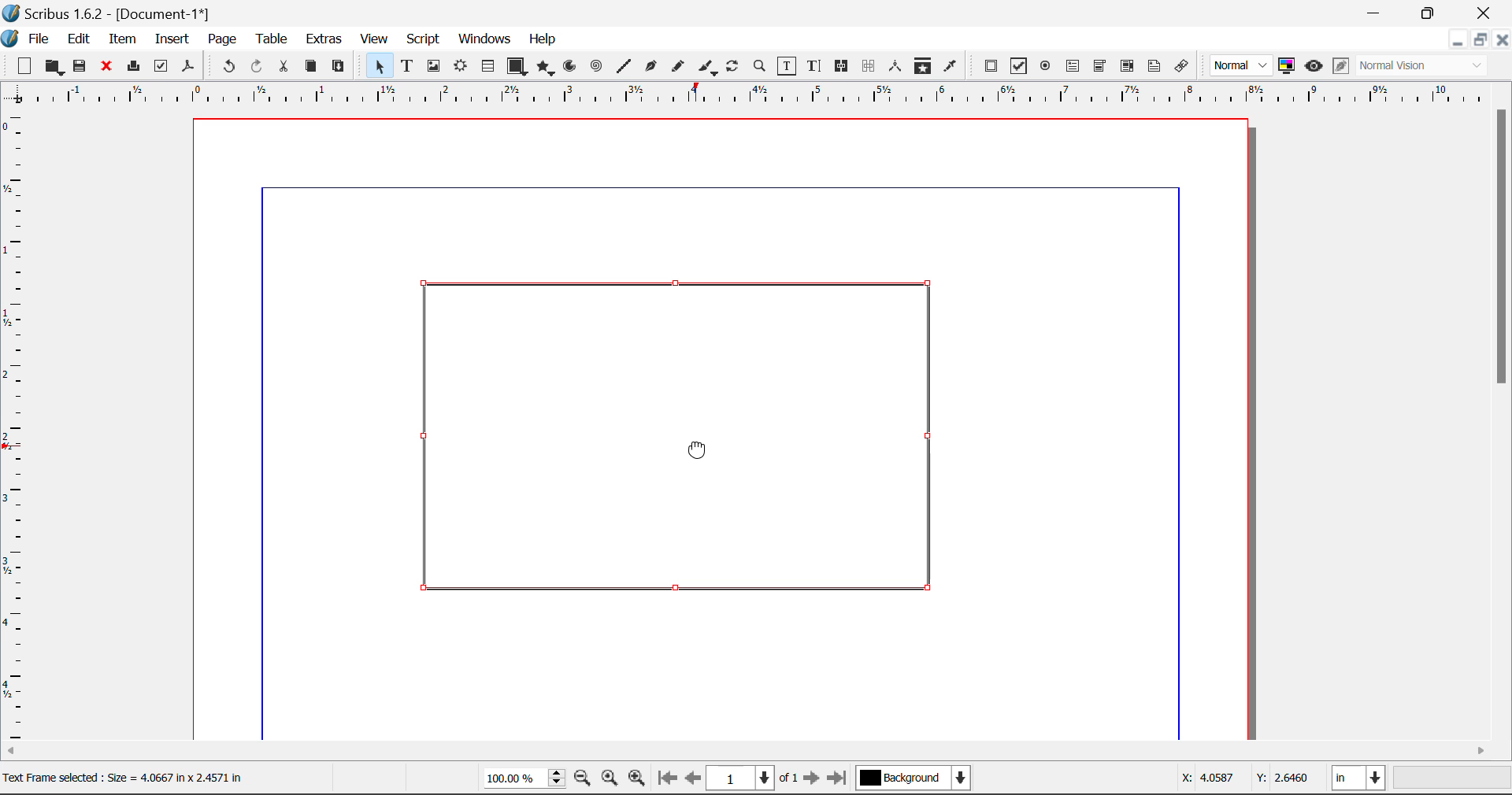 The width and height of the screenshot is (1512, 795). I want to click on Pdf Push Button, so click(991, 65).